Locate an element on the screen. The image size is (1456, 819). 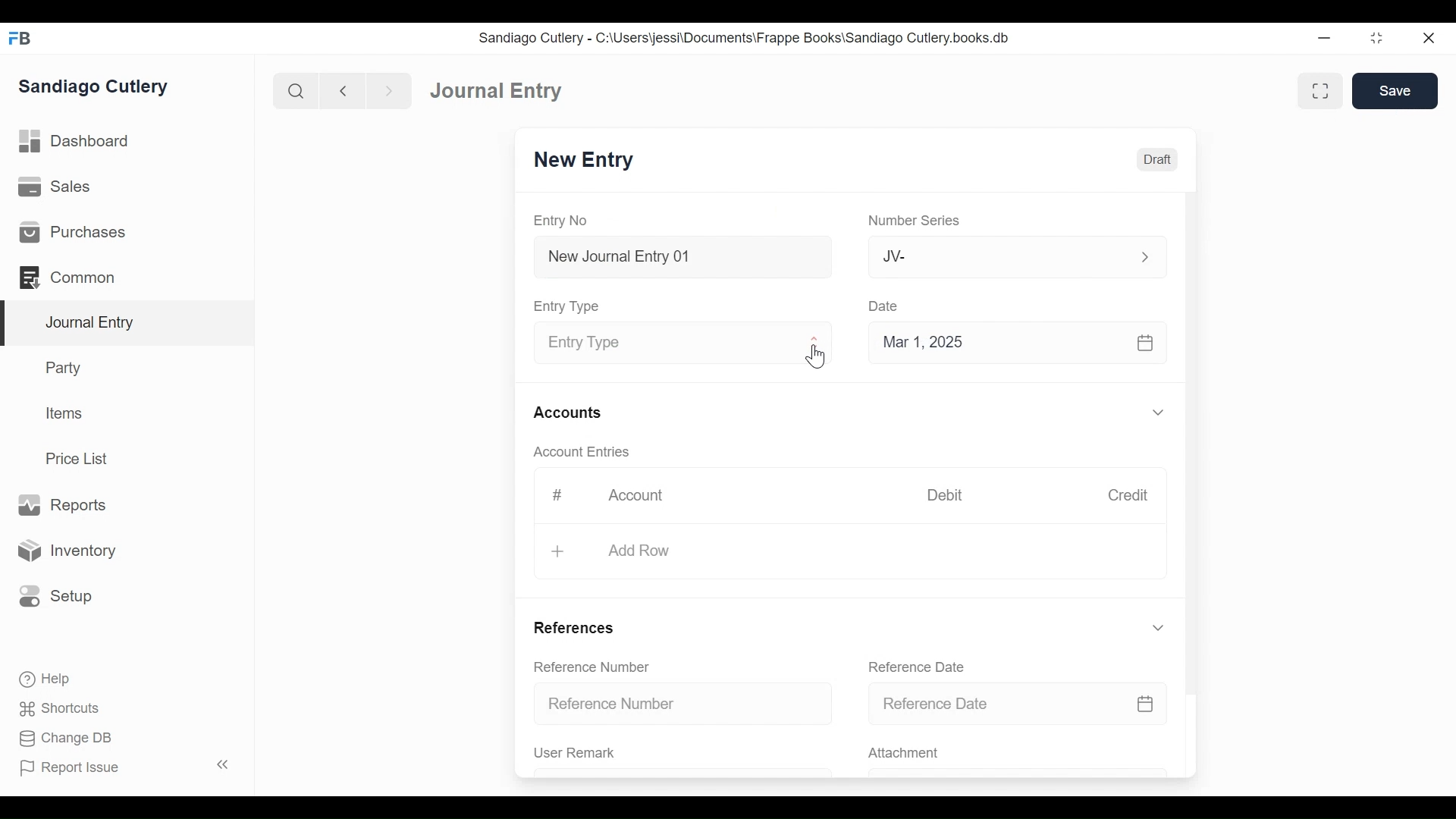
References is located at coordinates (571, 631).